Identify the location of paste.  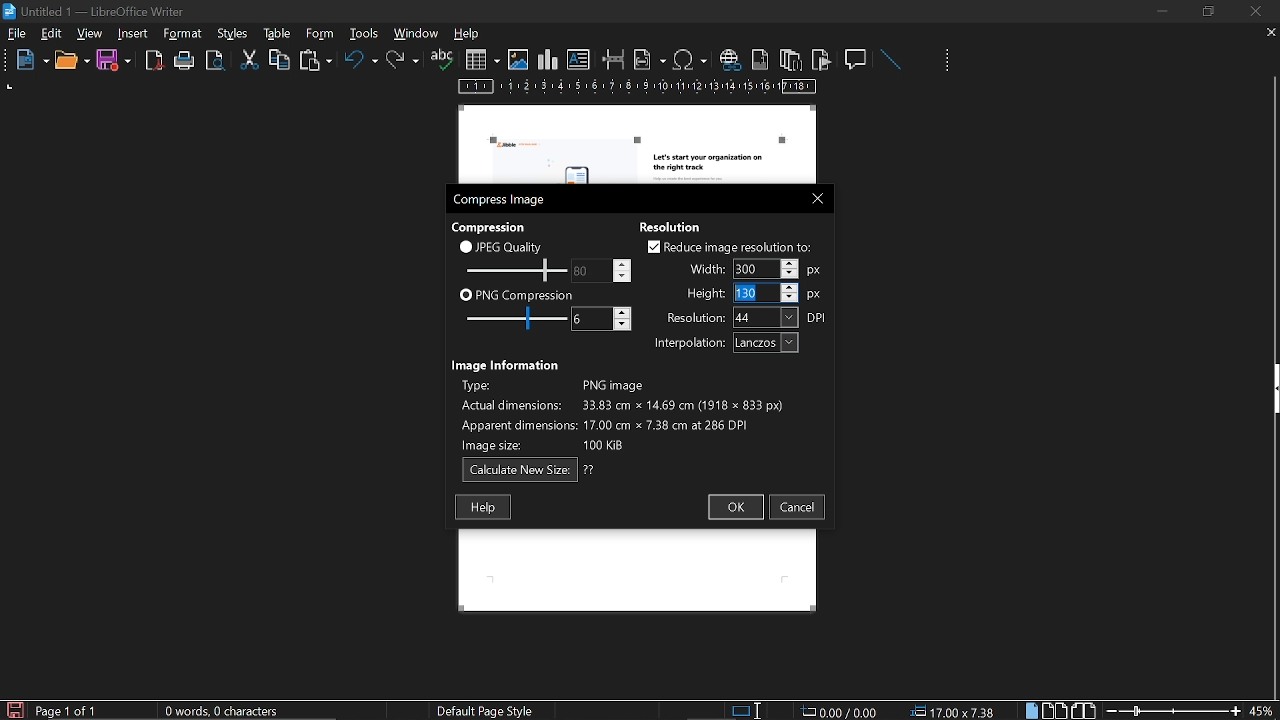
(314, 62).